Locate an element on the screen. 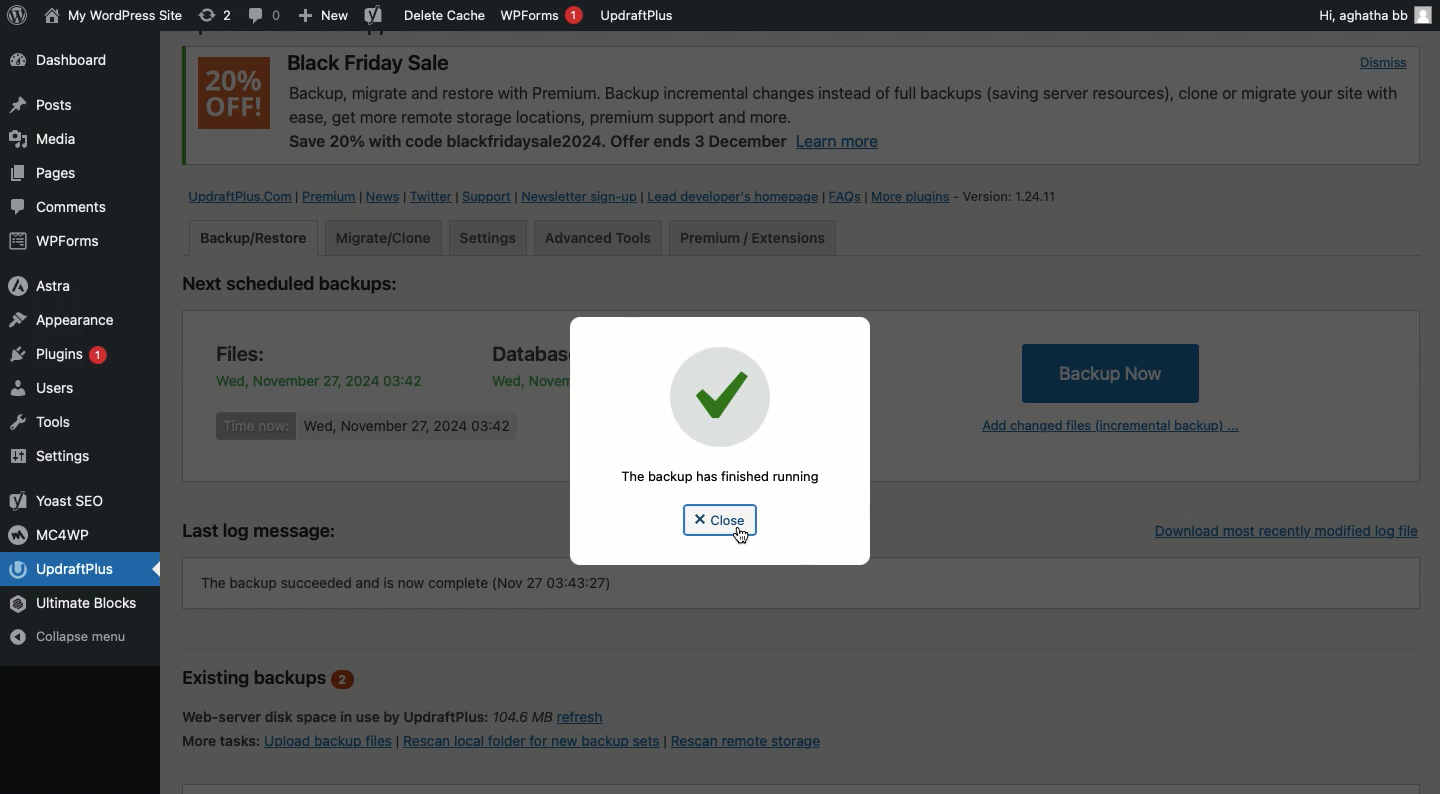  WordPress Site is located at coordinates (111, 16).